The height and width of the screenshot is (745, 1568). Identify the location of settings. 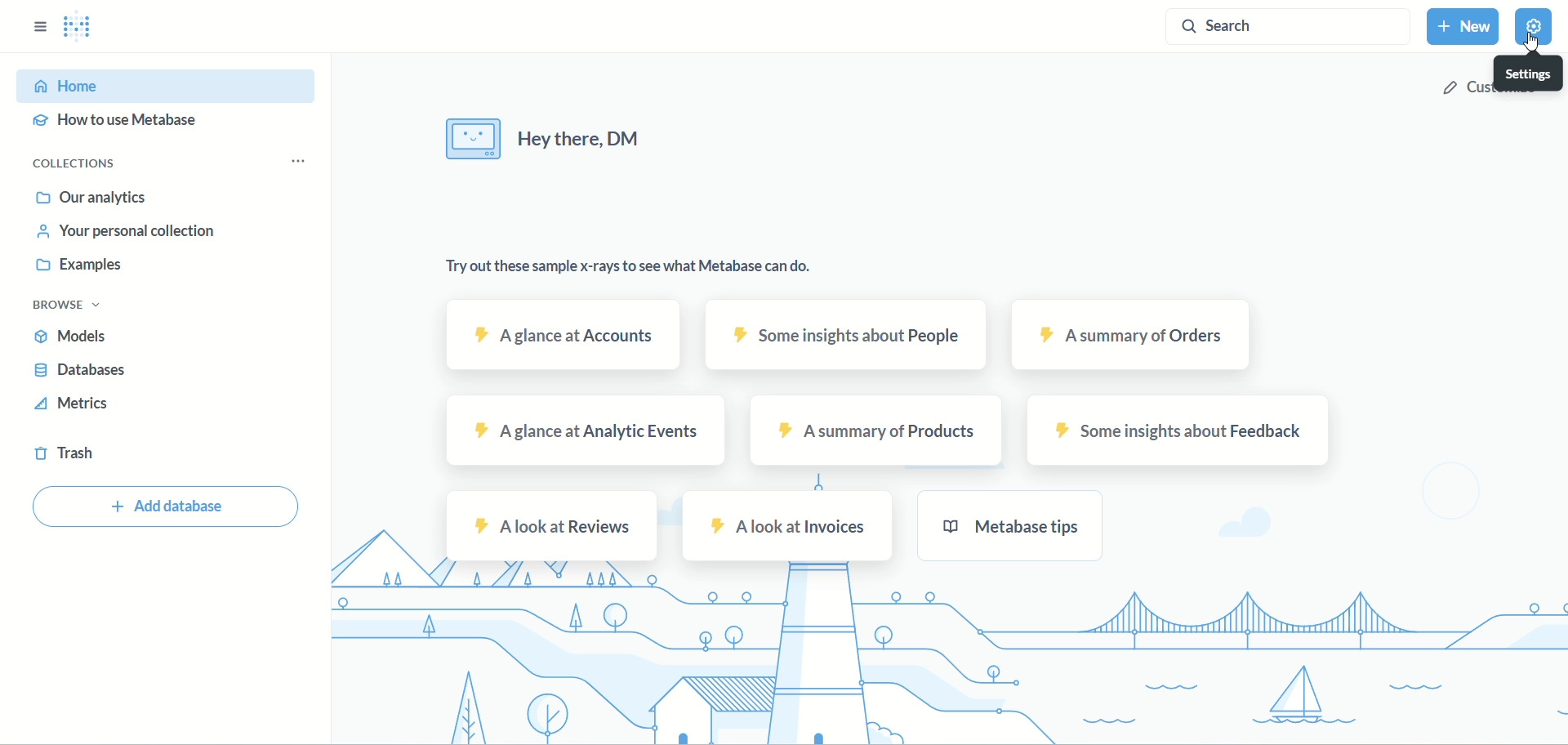
(1537, 29).